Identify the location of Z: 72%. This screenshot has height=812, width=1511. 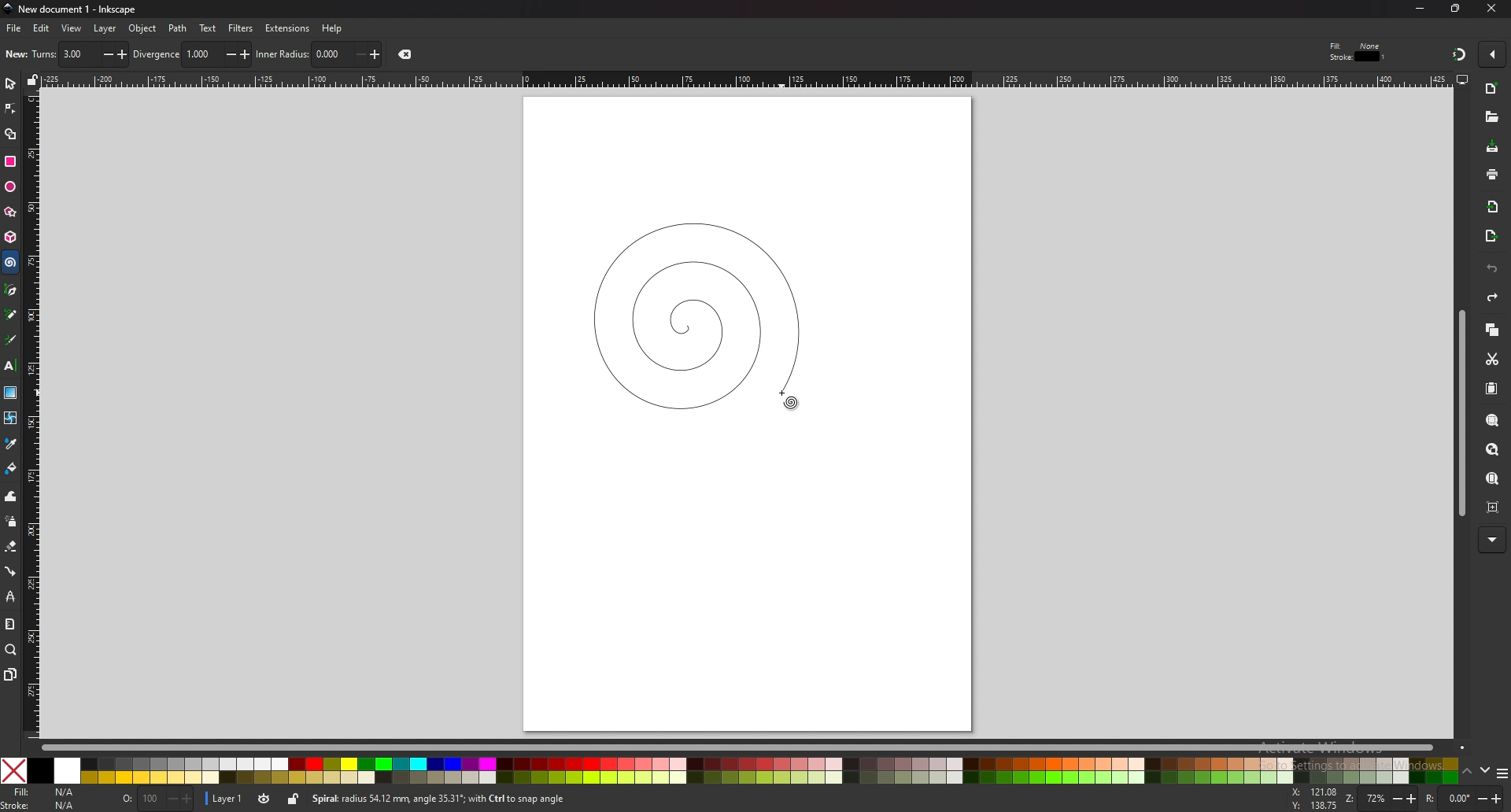
(1381, 799).